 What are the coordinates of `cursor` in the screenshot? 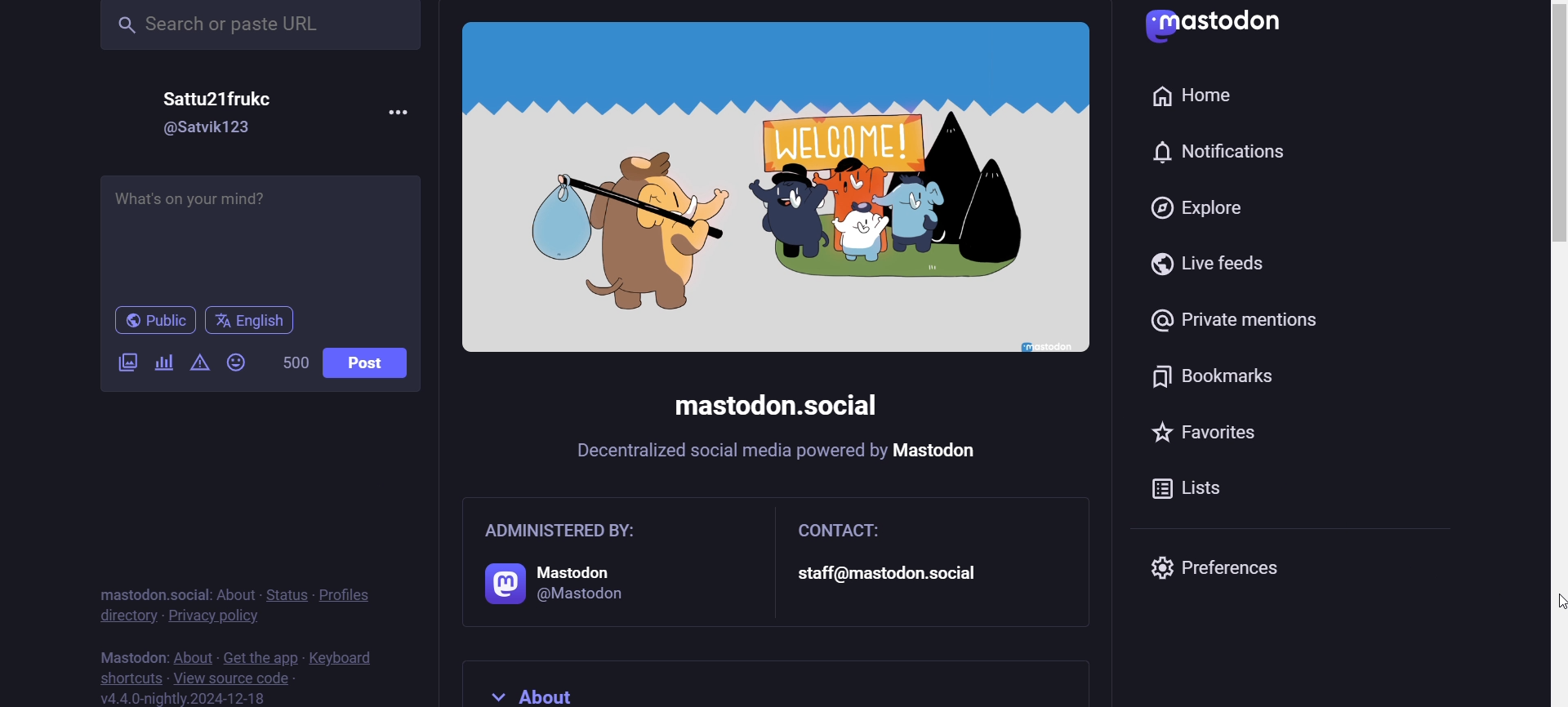 It's located at (1557, 604).